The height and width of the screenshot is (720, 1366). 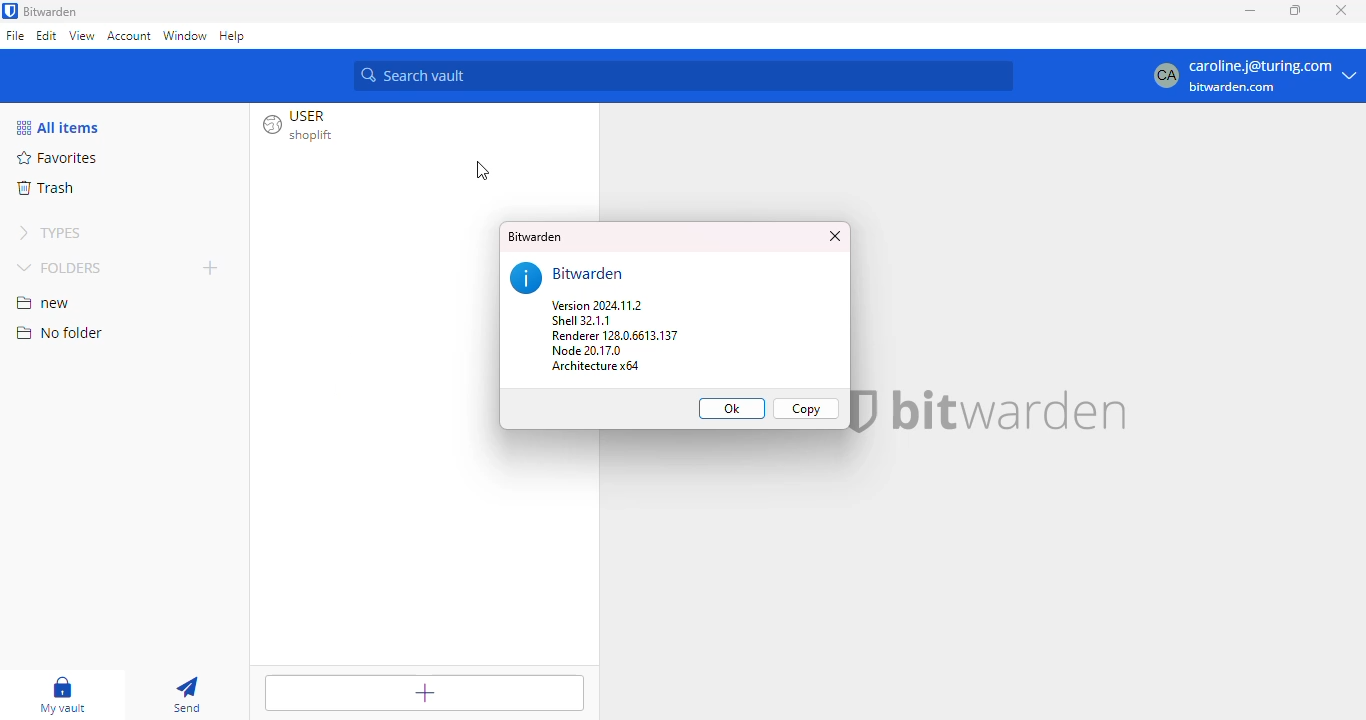 What do you see at coordinates (129, 37) in the screenshot?
I see `account` at bounding box center [129, 37].